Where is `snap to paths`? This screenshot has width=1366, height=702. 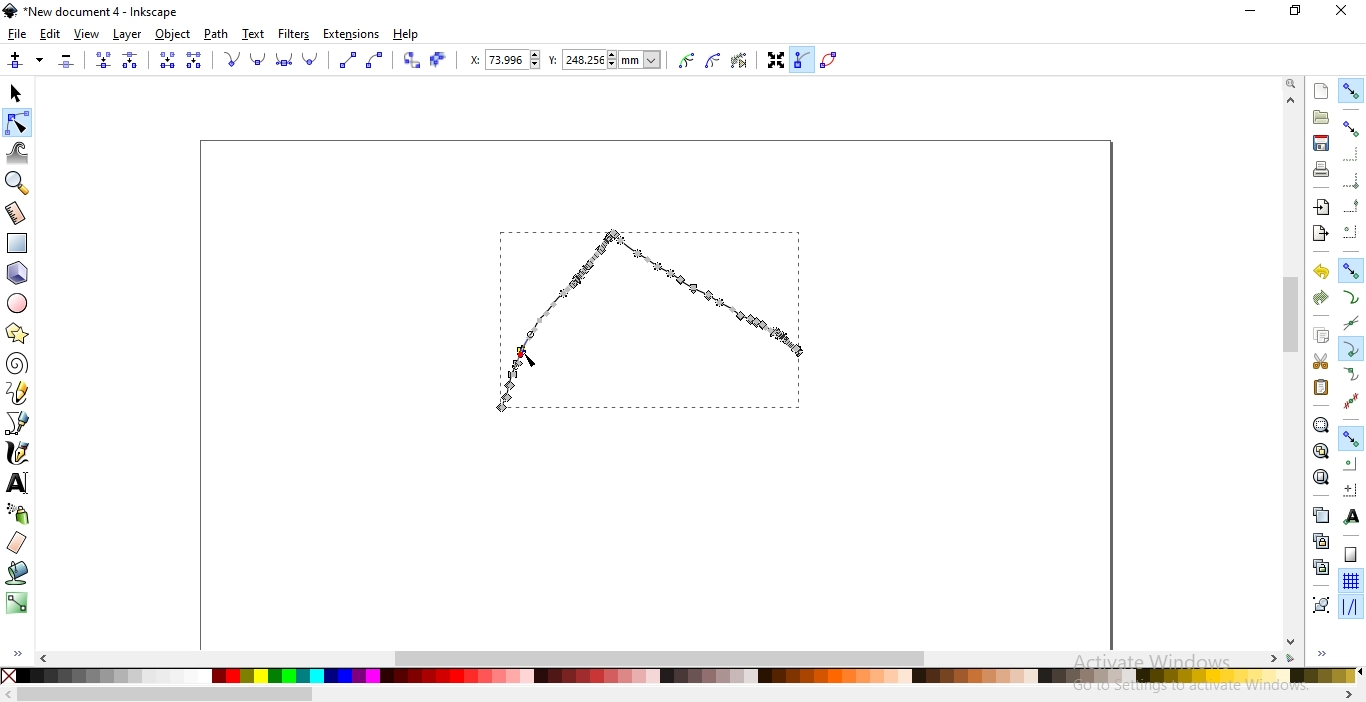
snap to paths is located at coordinates (1350, 297).